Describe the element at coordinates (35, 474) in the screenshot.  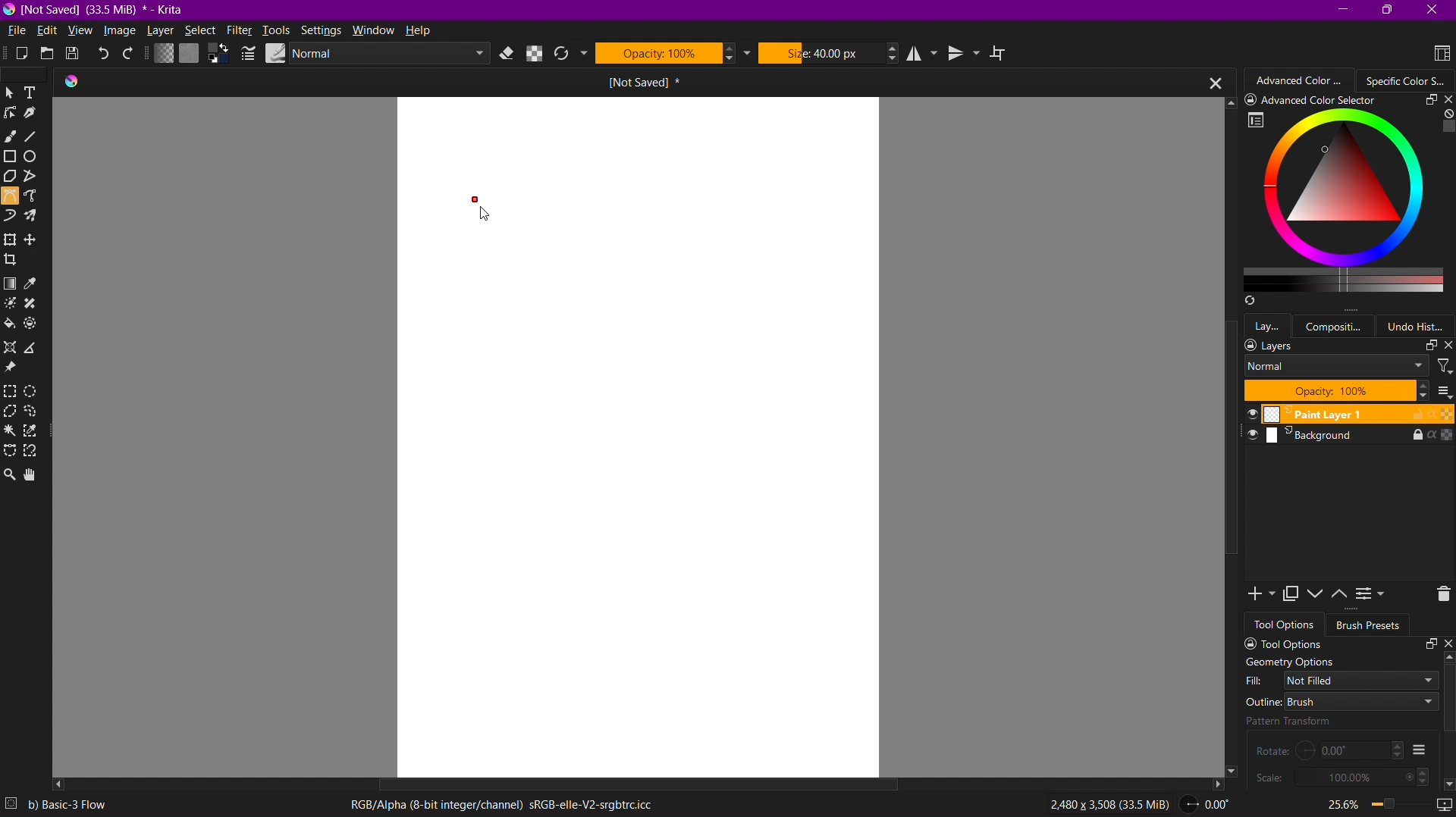
I see `Pan Tool` at that location.